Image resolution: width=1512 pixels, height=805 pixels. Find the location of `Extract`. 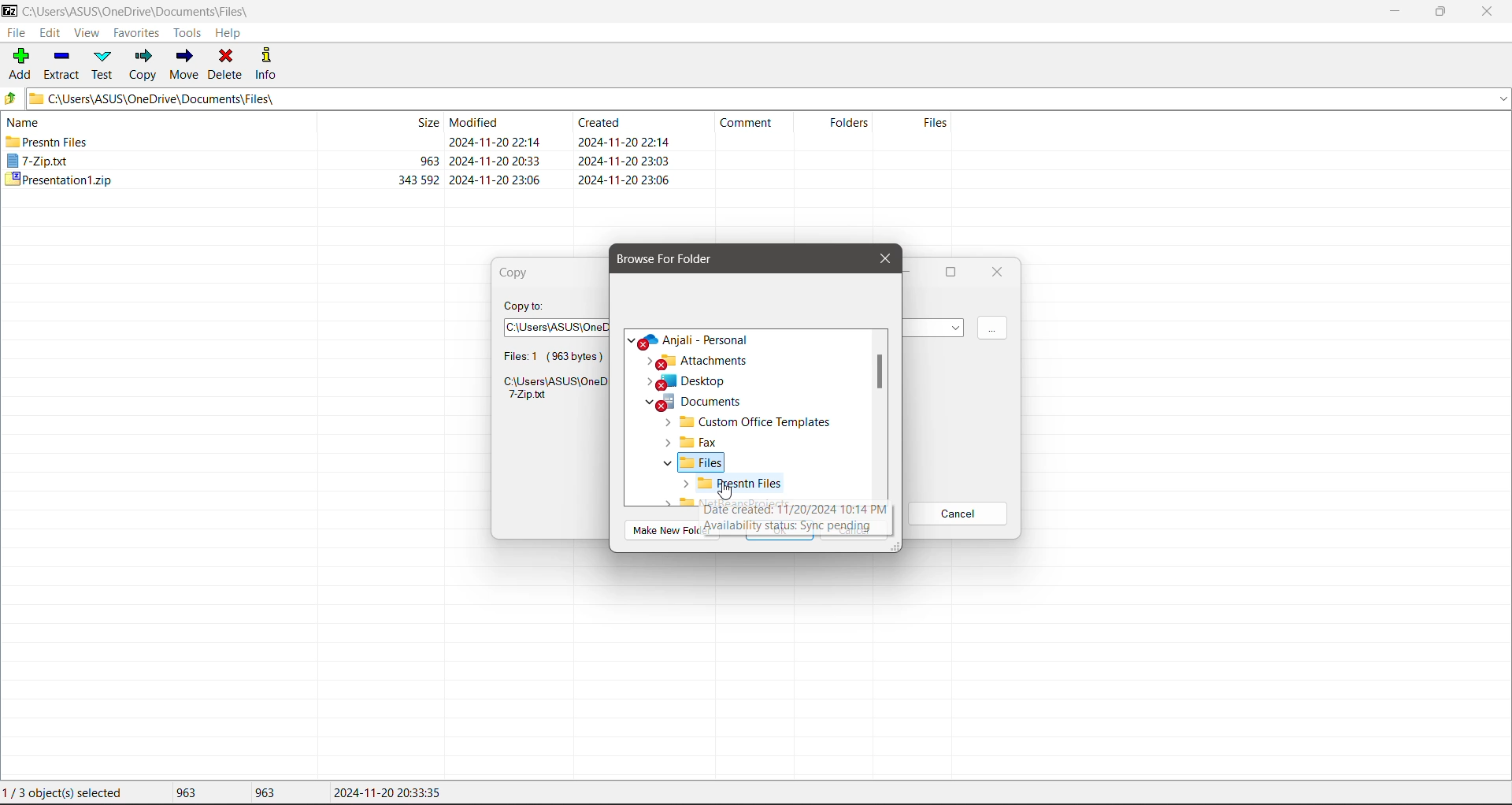

Extract is located at coordinates (61, 63).